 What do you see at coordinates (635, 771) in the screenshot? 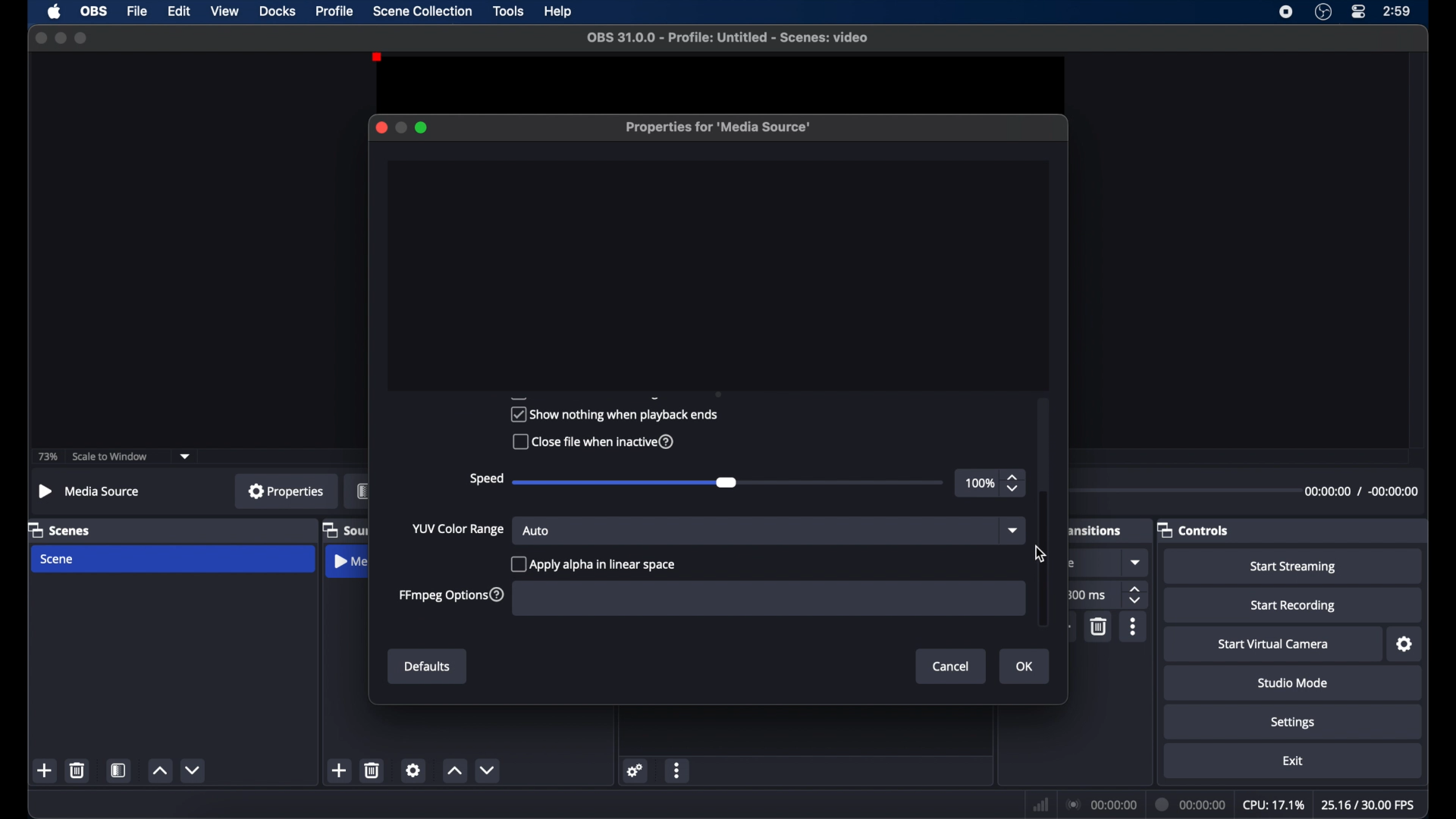
I see `settings` at bounding box center [635, 771].